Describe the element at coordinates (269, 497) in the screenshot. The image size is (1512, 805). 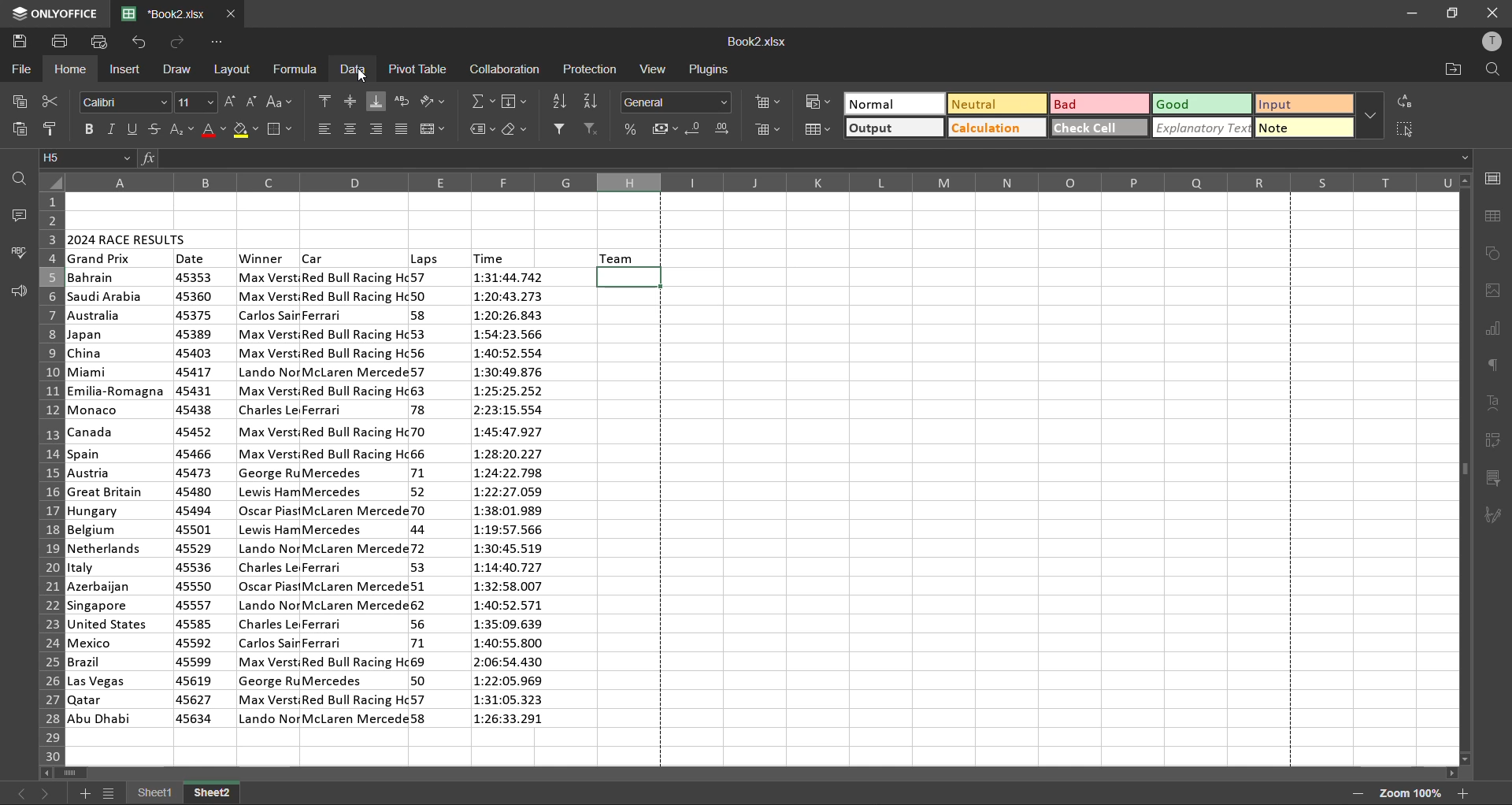
I see `winner` at that location.